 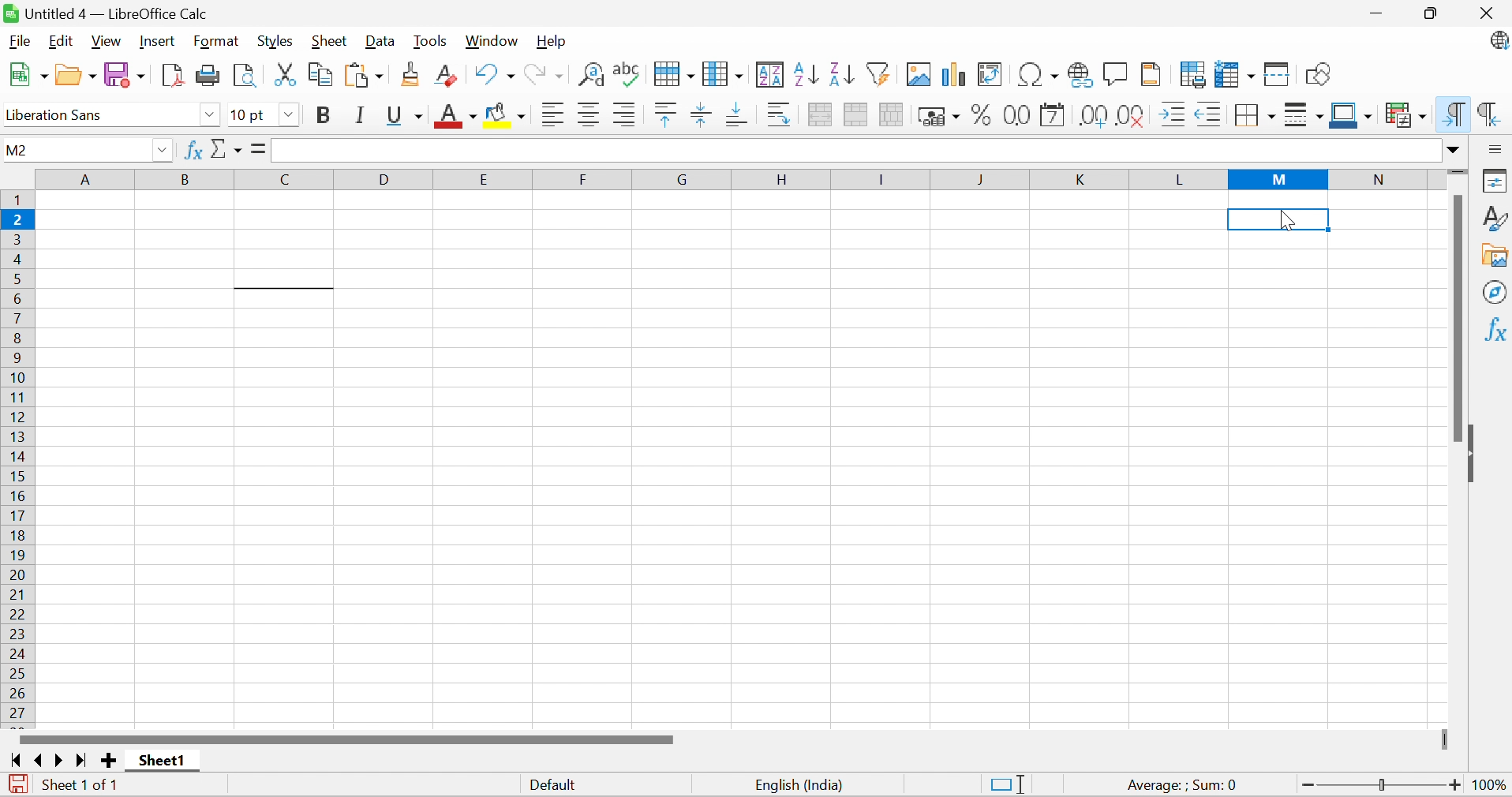 I want to click on Left-to-right, so click(x=1452, y=114).